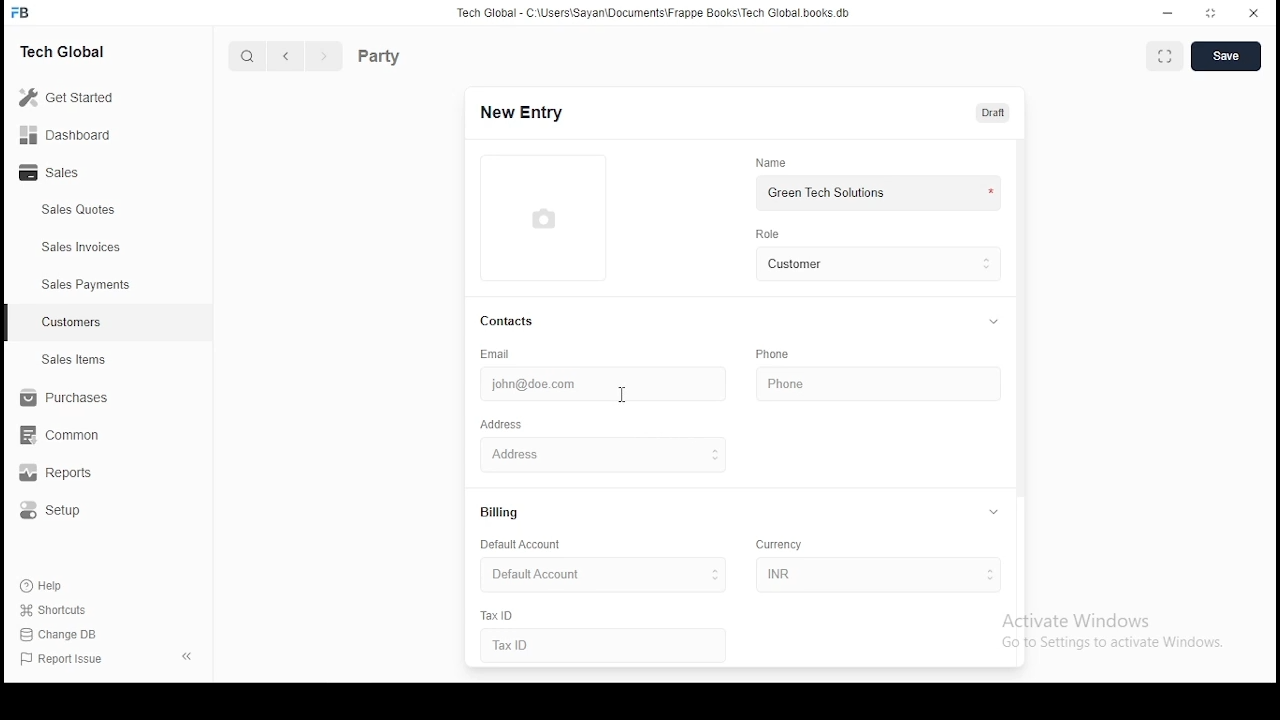 Image resolution: width=1280 pixels, height=720 pixels. Describe the element at coordinates (288, 56) in the screenshot. I see `previous` at that location.